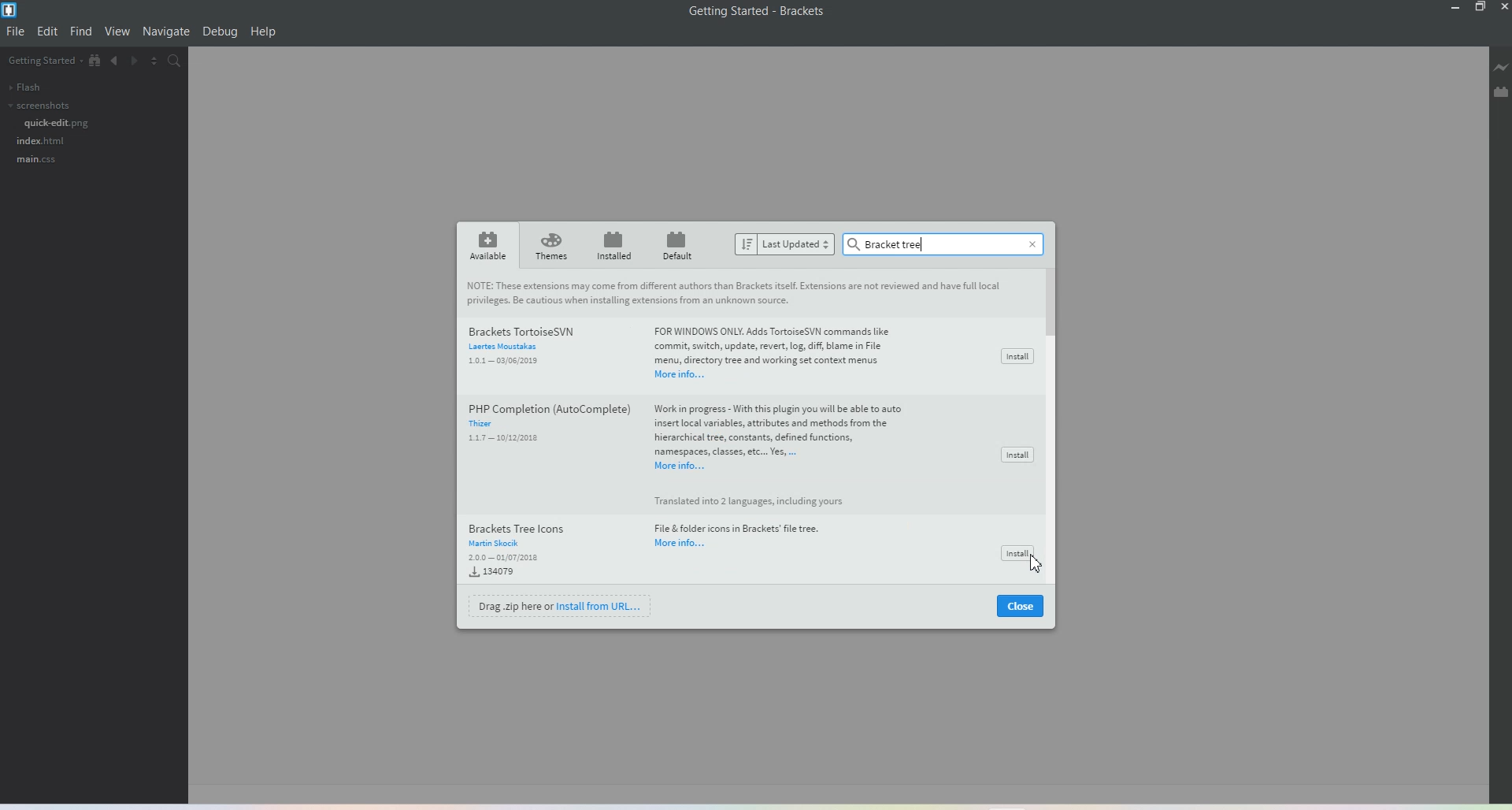 Image resolution: width=1512 pixels, height=810 pixels. Describe the element at coordinates (1501, 94) in the screenshot. I see `Extension Manager` at that location.